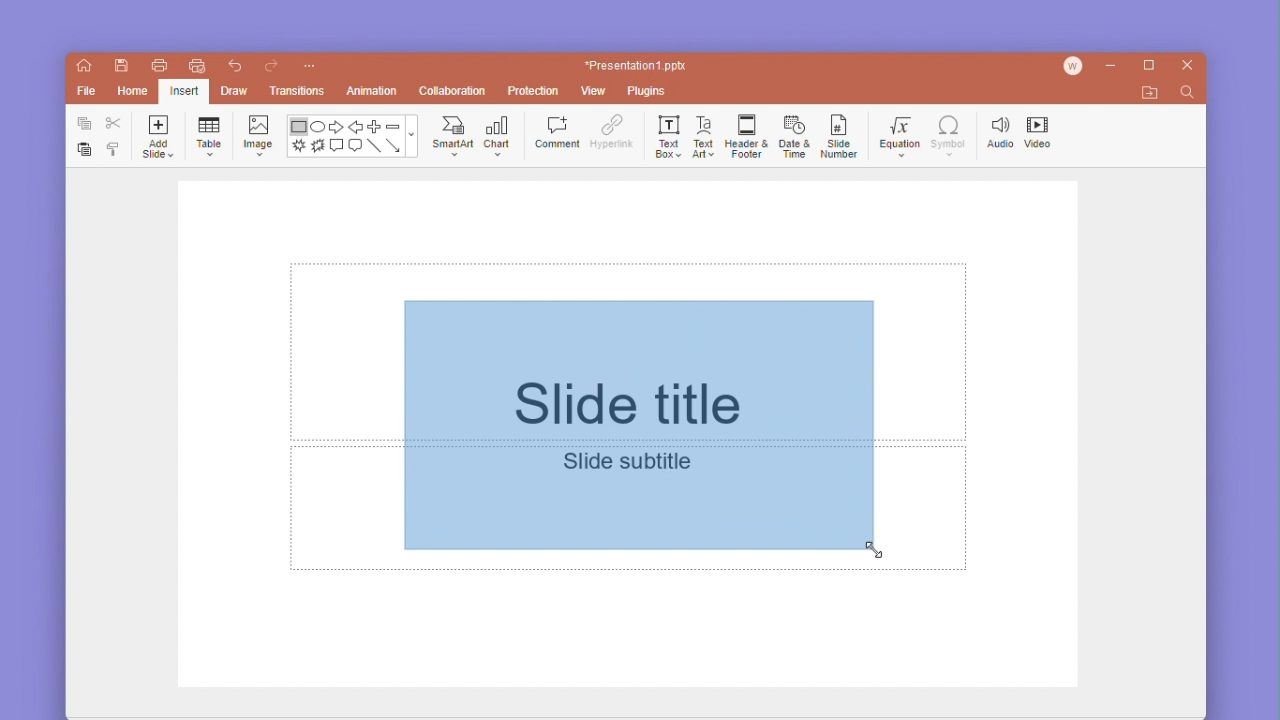 This screenshot has width=1280, height=720. Describe the element at coordinates (210, 134) in the screenshot. I see `table` at that location.